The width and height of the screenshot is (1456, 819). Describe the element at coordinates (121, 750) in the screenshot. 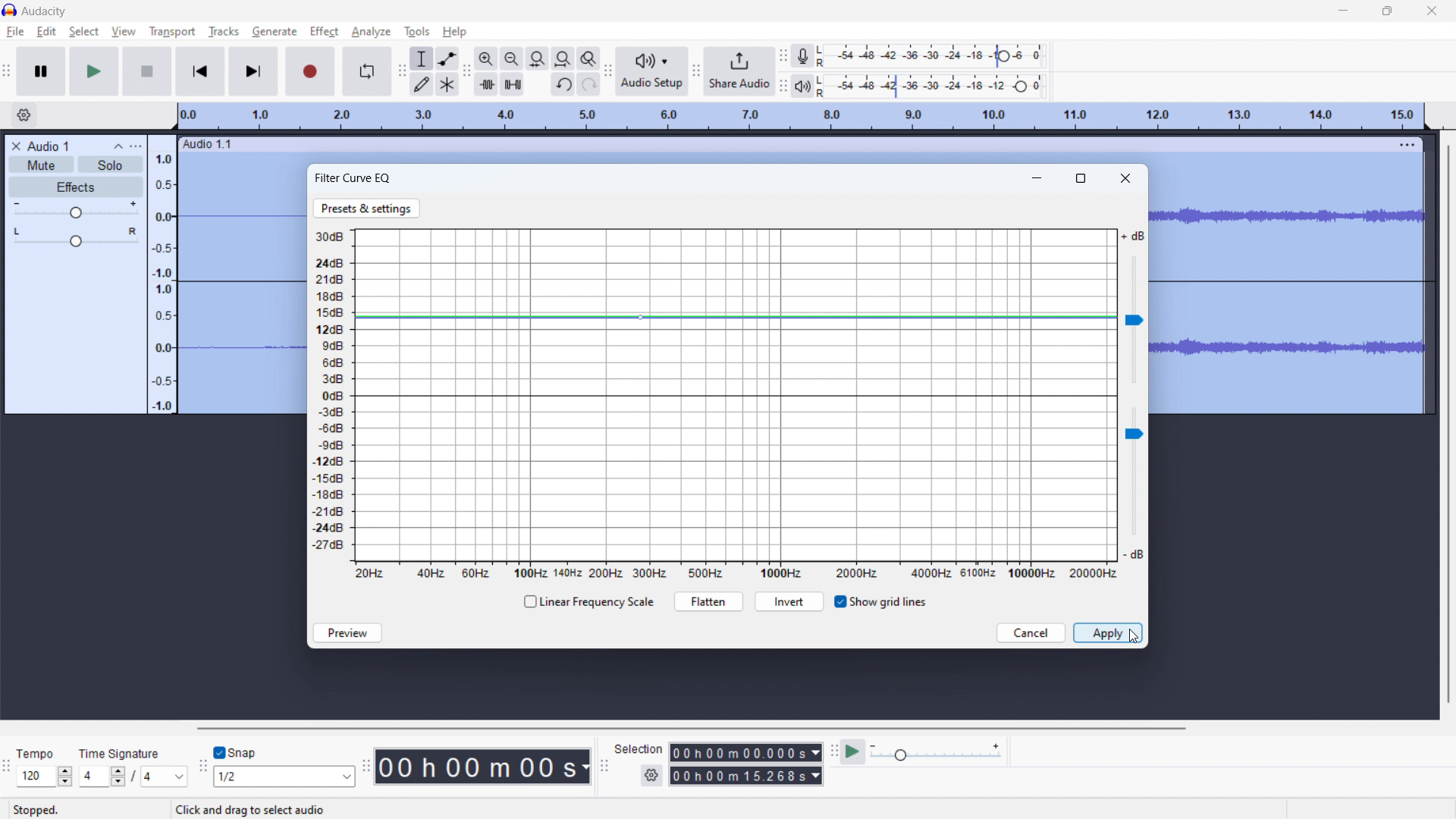

I see `Time Signature` at that location.